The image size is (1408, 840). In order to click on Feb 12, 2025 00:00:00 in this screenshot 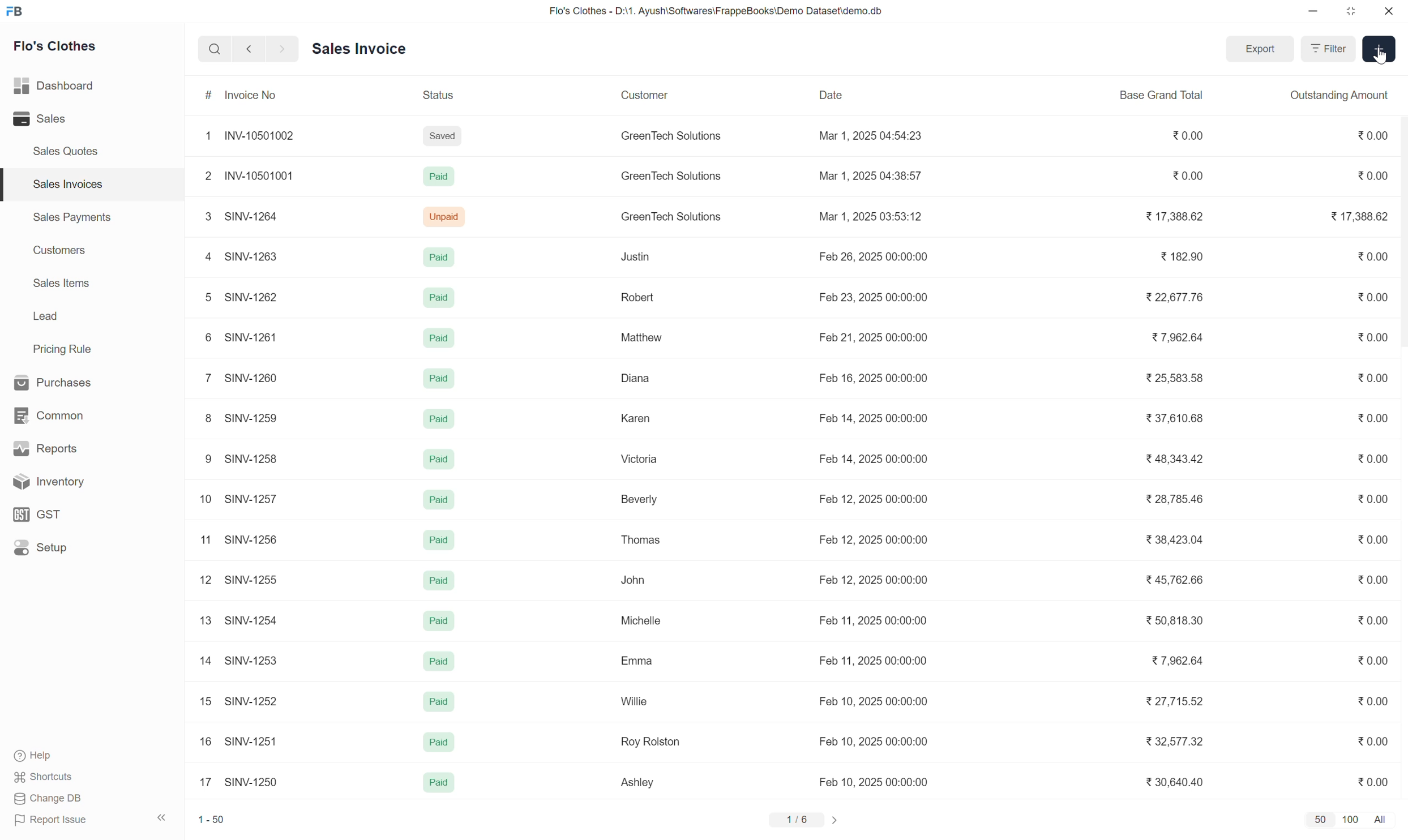, I will do `click(880, 541)`.